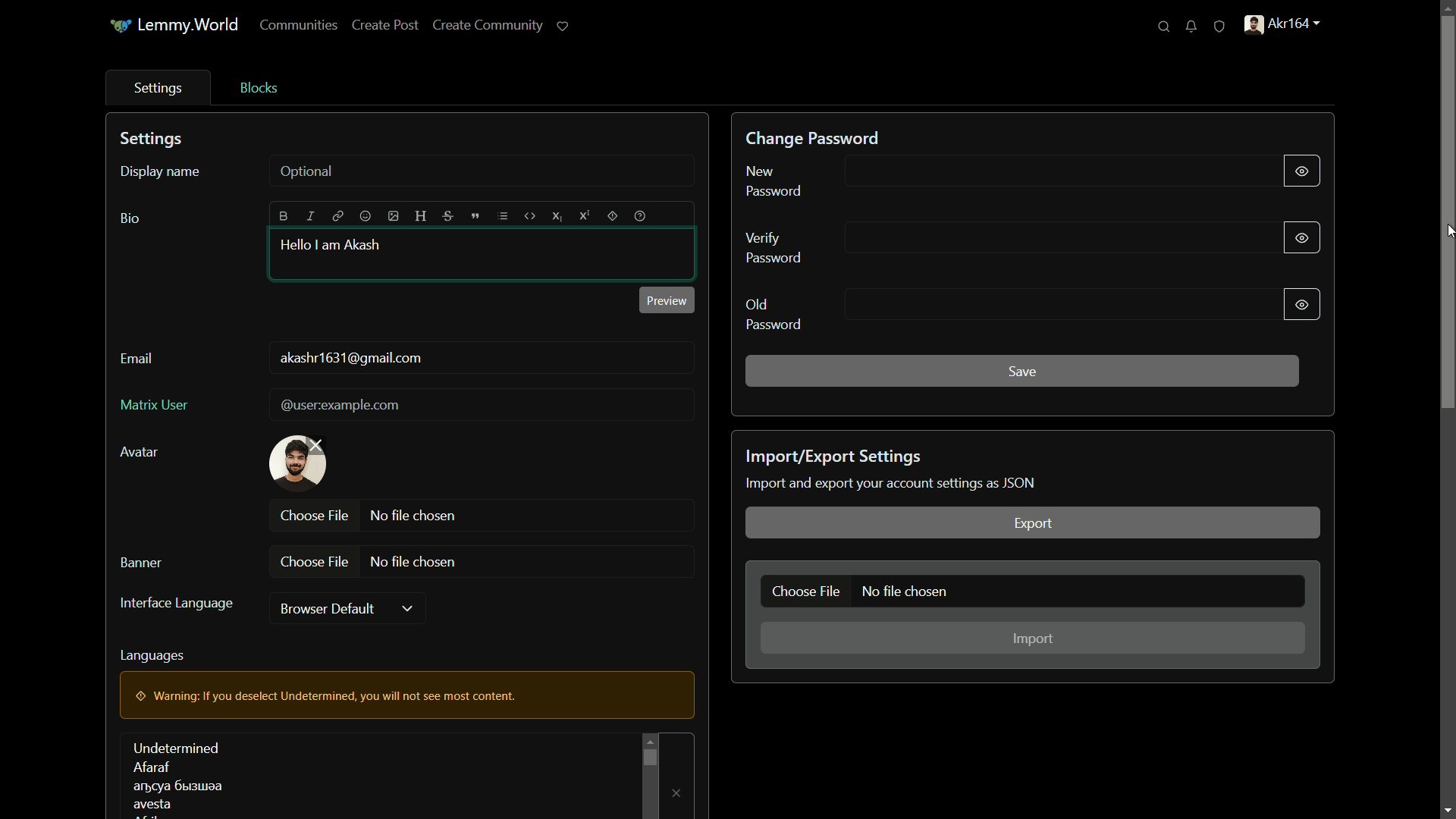 This screenshot has width=1456, height=819. What do you see at coordinates (503, 216) in the screenshot?
I see `list` at bounding box center [503, 216].